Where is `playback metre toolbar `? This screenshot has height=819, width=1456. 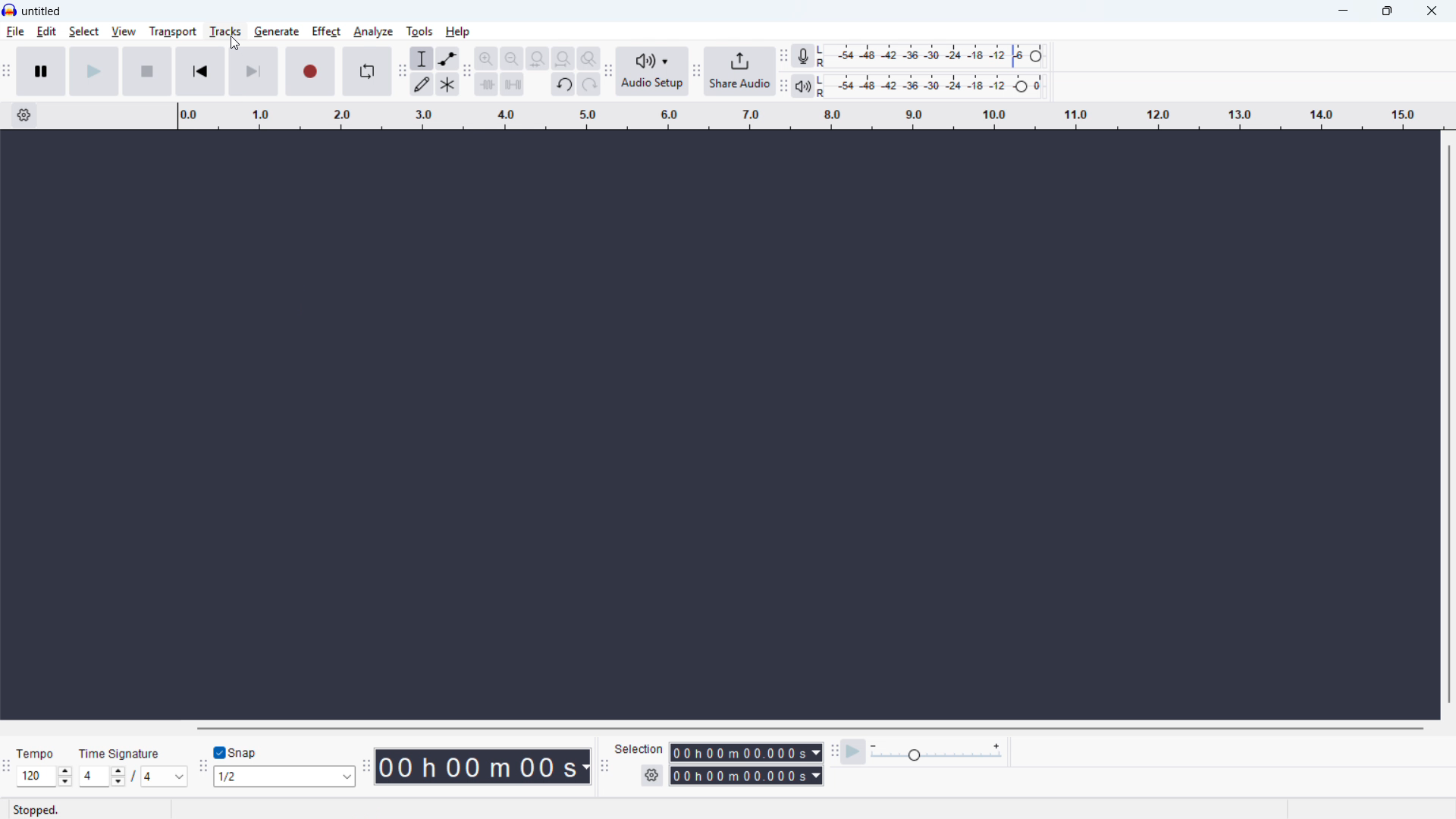 playback metre toolbar  is located at coordinates (783, 86).